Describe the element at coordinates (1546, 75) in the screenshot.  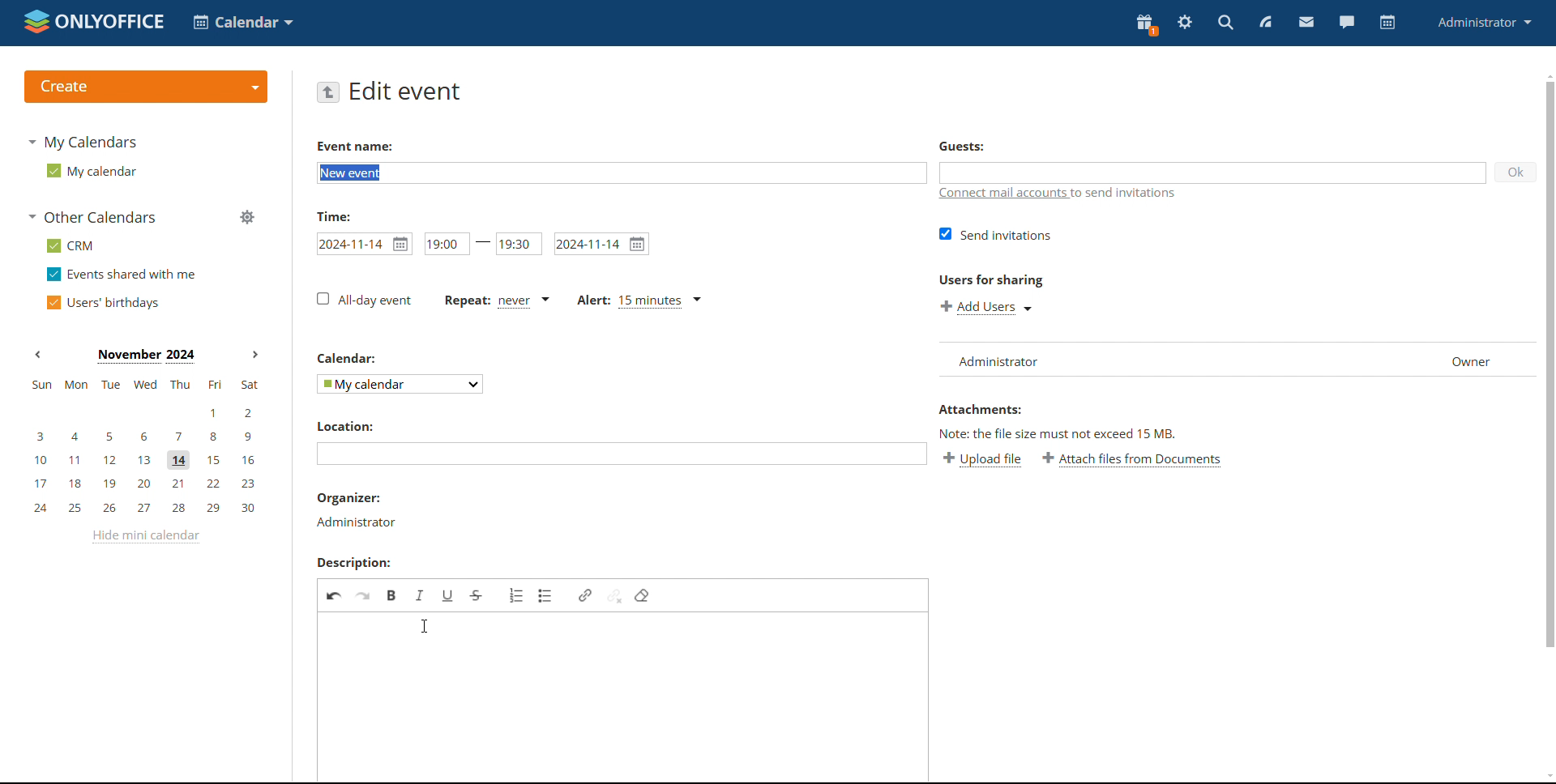
I see `scroll up` at that location.